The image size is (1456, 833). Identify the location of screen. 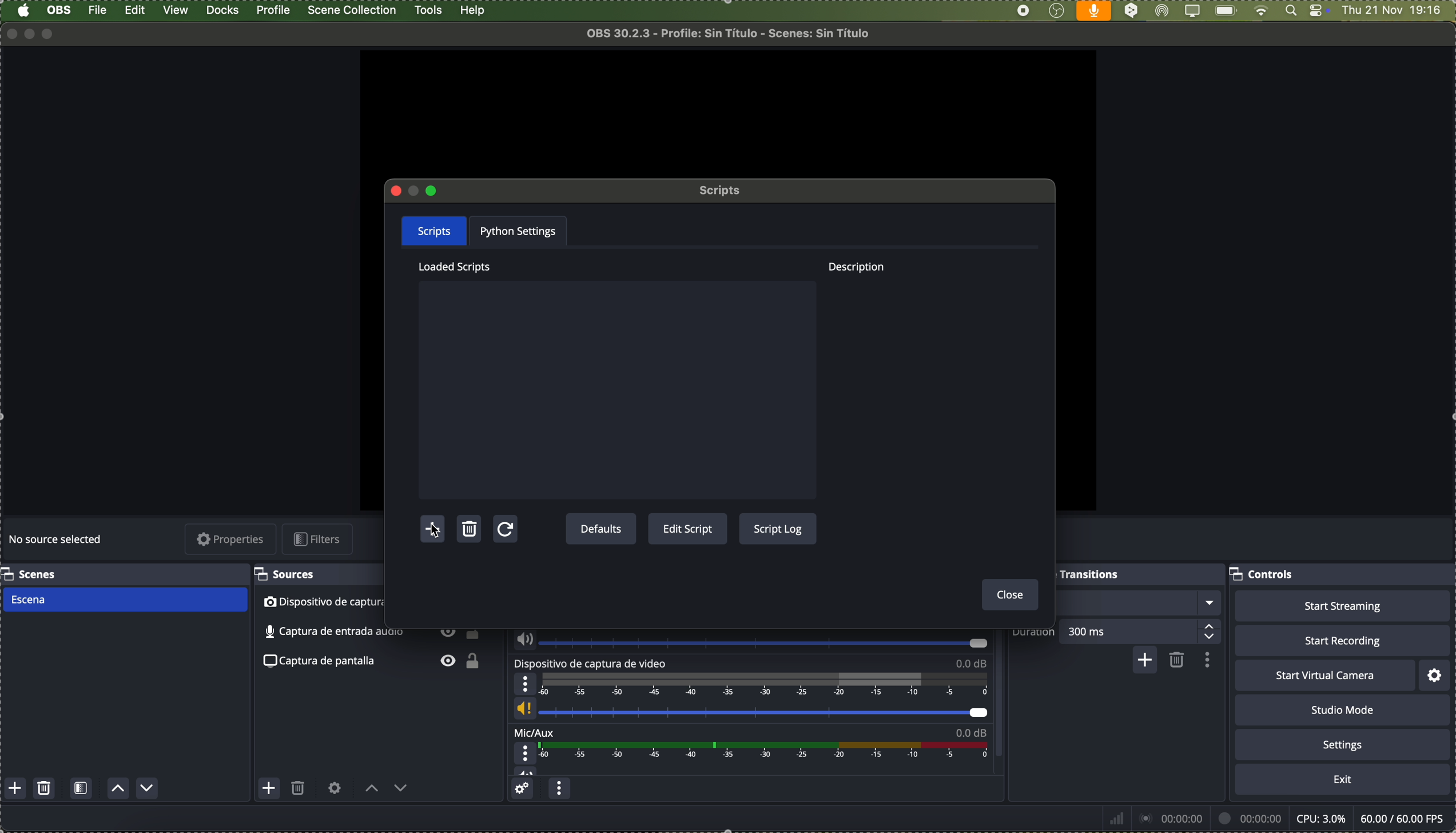
(1191, 11).